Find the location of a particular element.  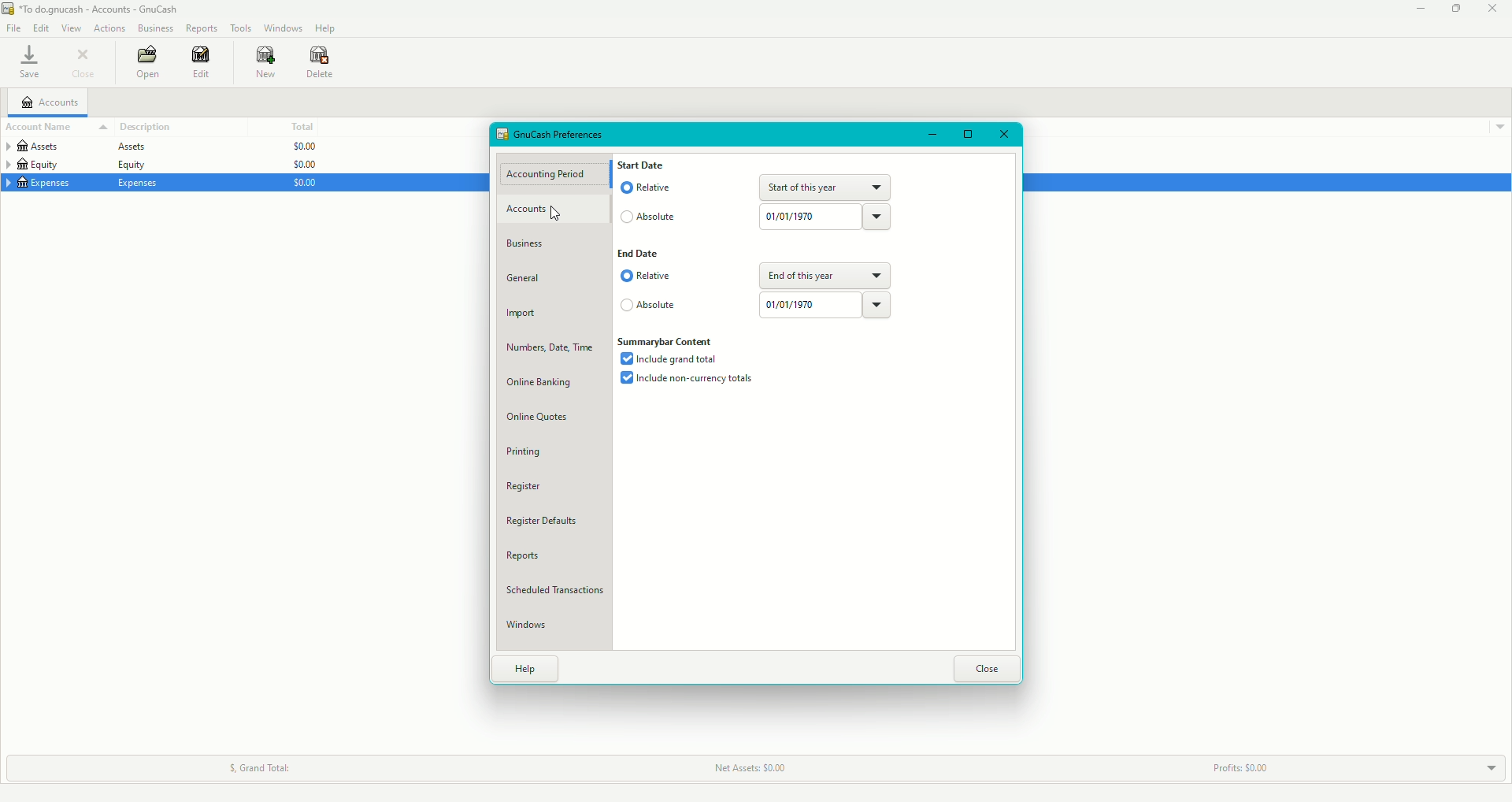

Restore is located at coordinates (966, 136).